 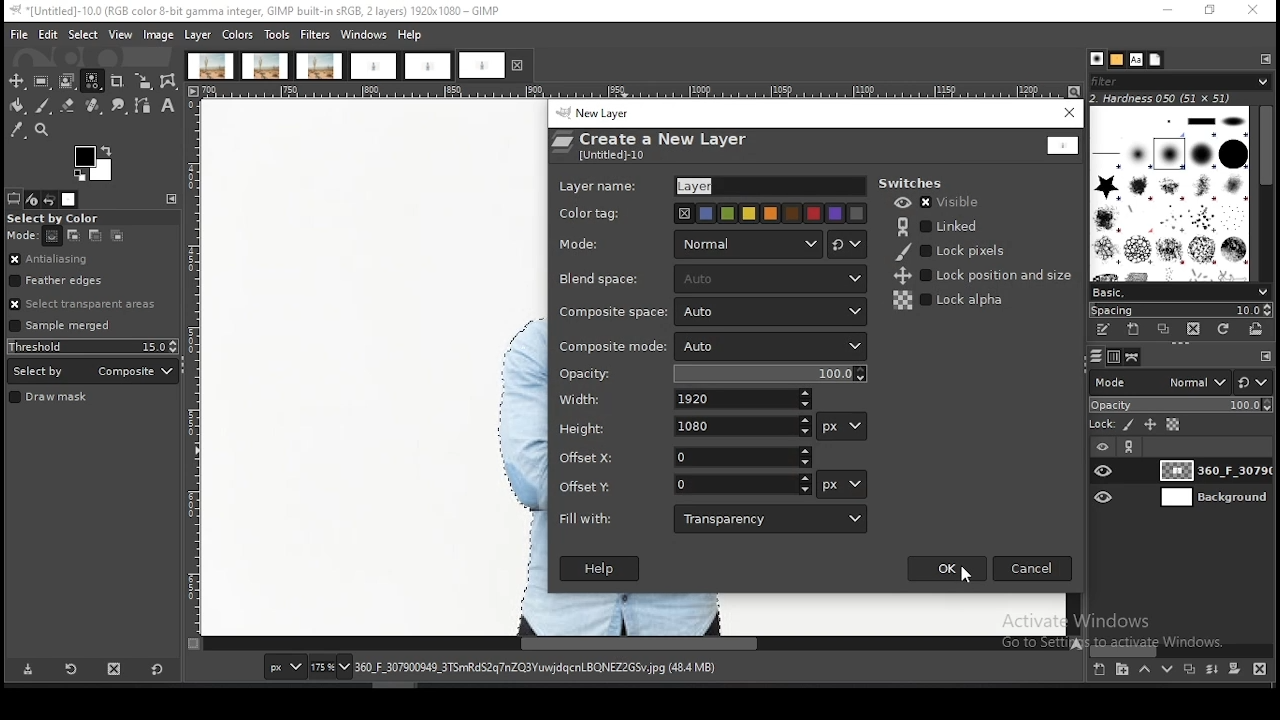 I want to click on healing tool, so click(x=94, y=106).